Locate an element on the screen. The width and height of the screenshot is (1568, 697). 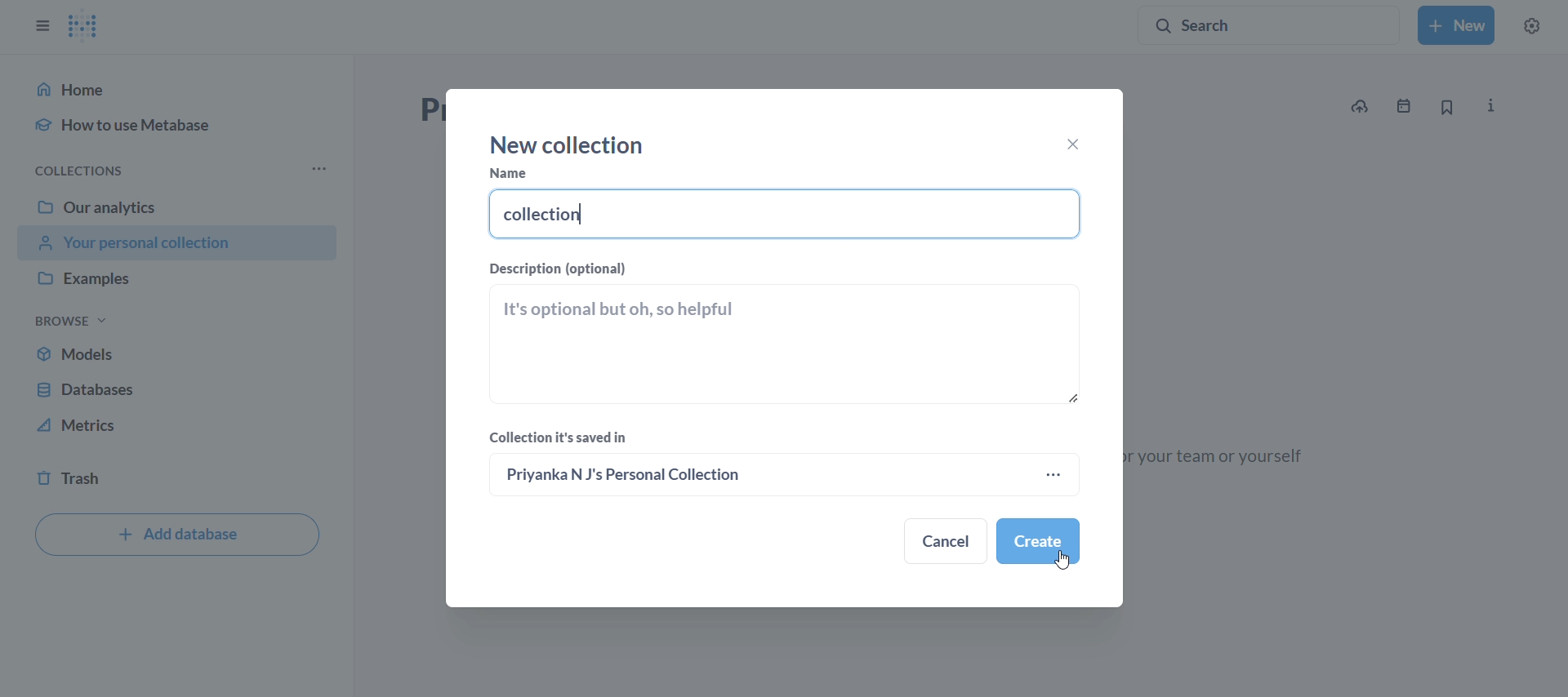
database is located at coordinates (176, 388).